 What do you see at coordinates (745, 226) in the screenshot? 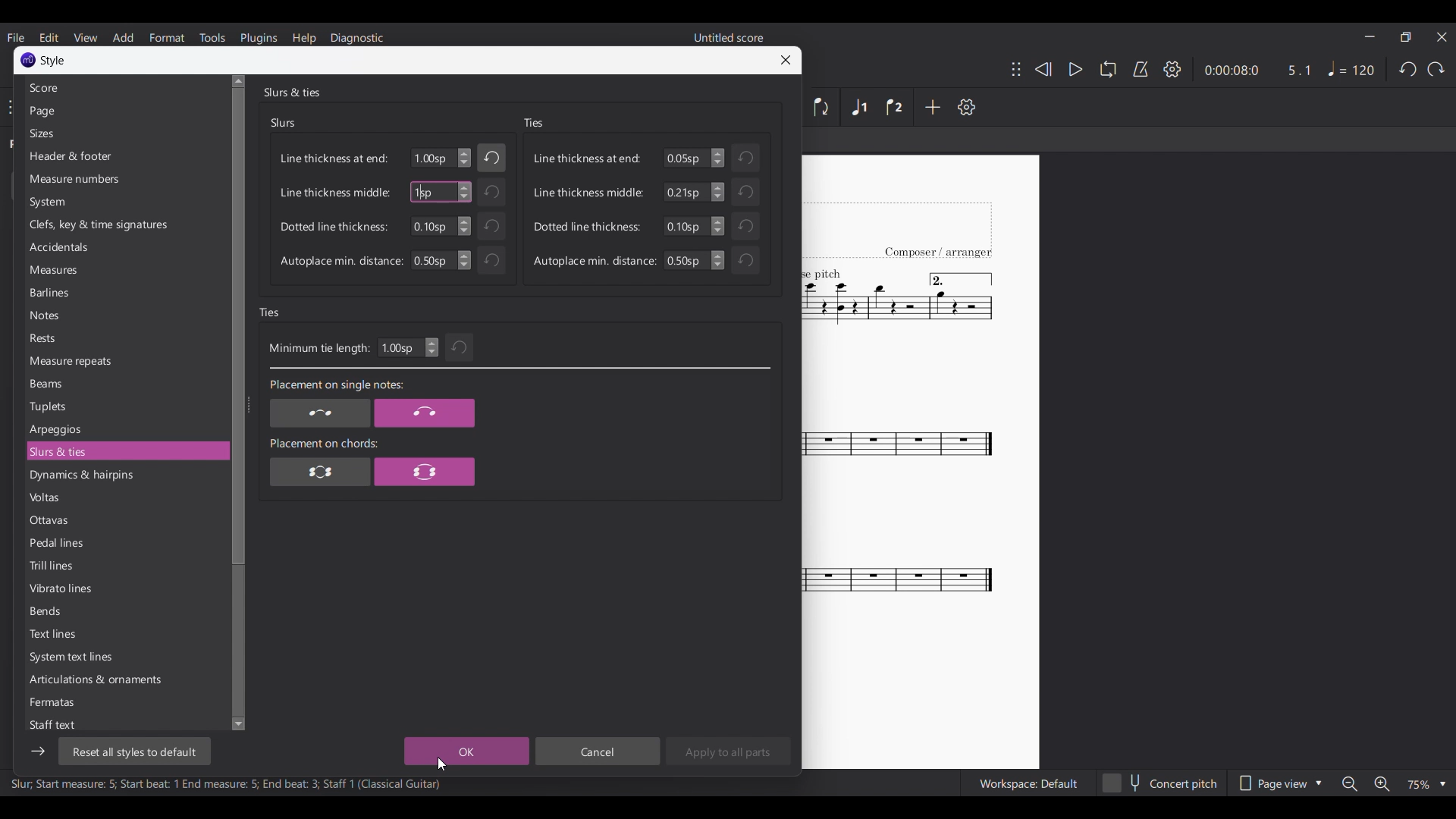
I see `Undo` at bounding box center [745, 226].